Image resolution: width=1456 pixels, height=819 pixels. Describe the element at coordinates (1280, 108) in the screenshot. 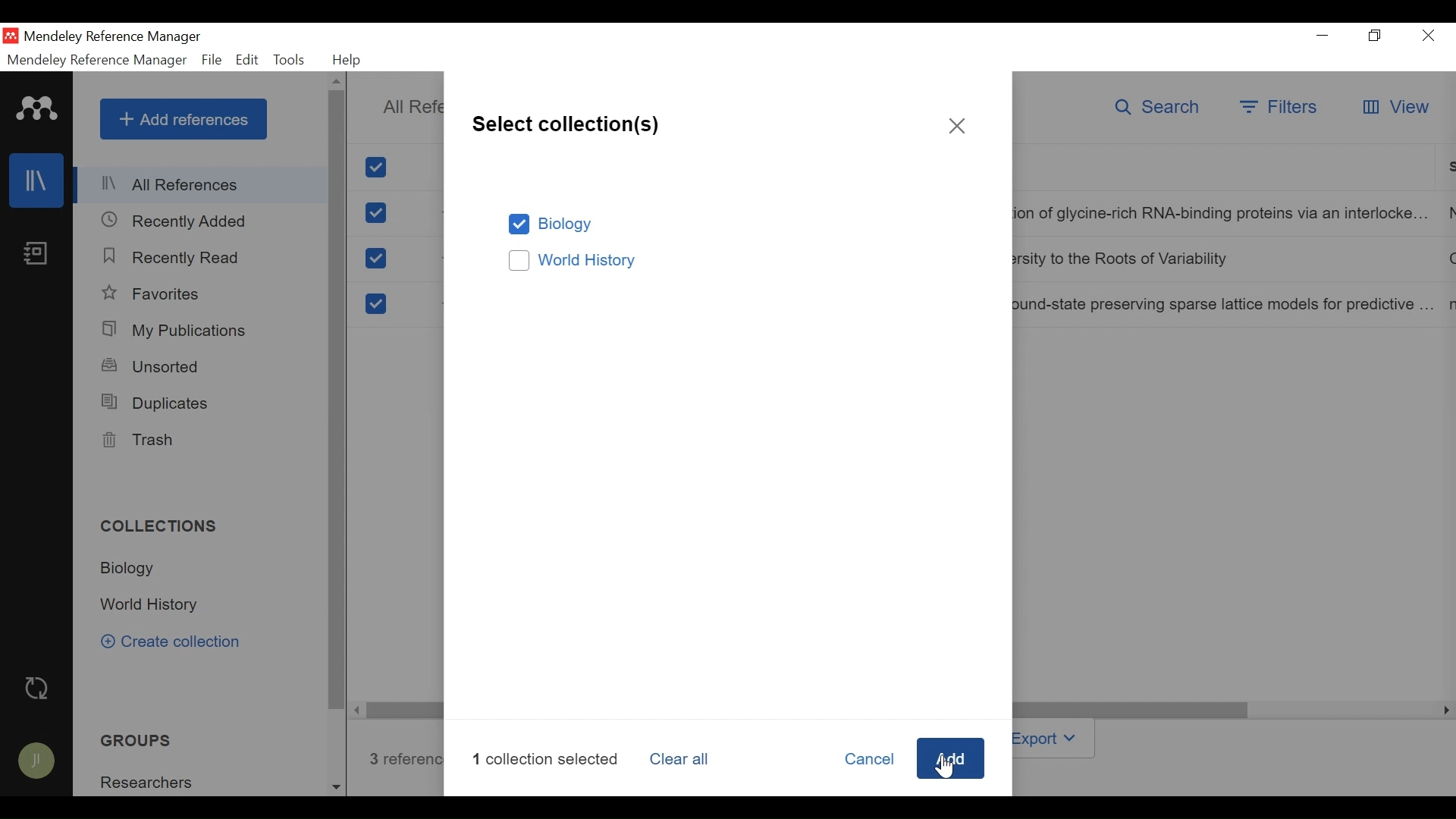

I see `Filters` at that location.